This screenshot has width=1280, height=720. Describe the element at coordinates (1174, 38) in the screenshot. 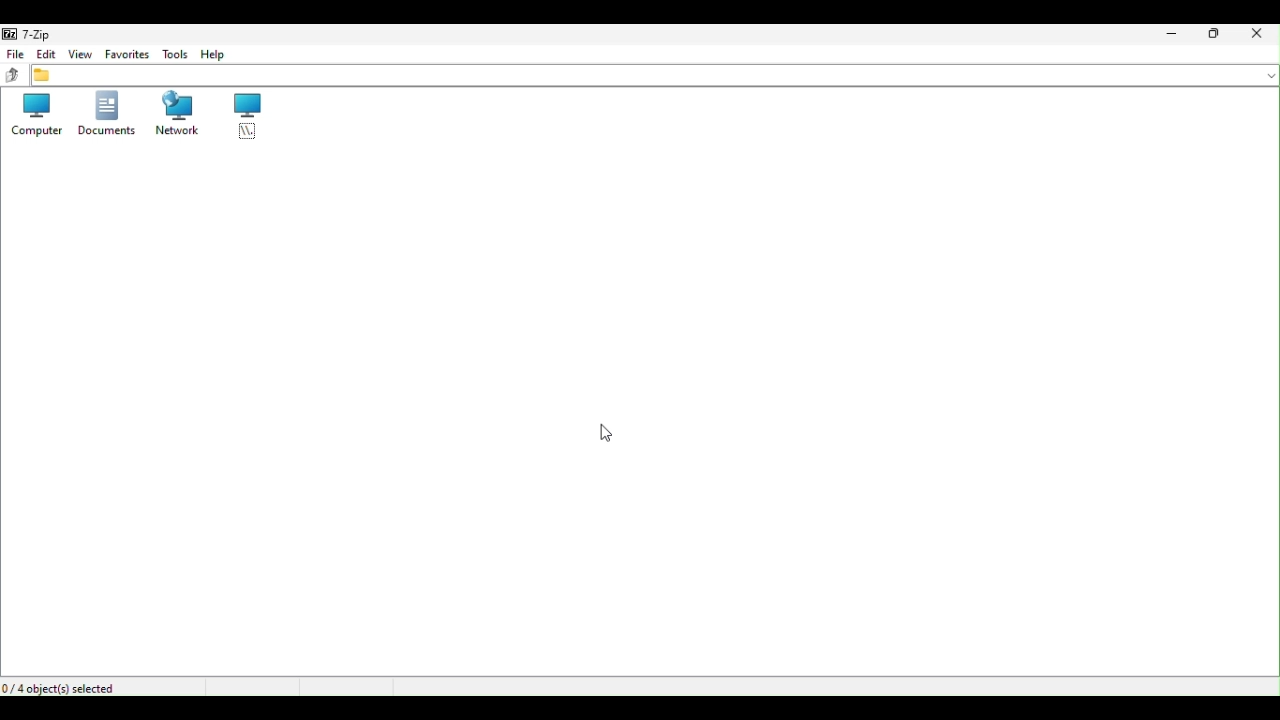

I see `Minimise` at that location.